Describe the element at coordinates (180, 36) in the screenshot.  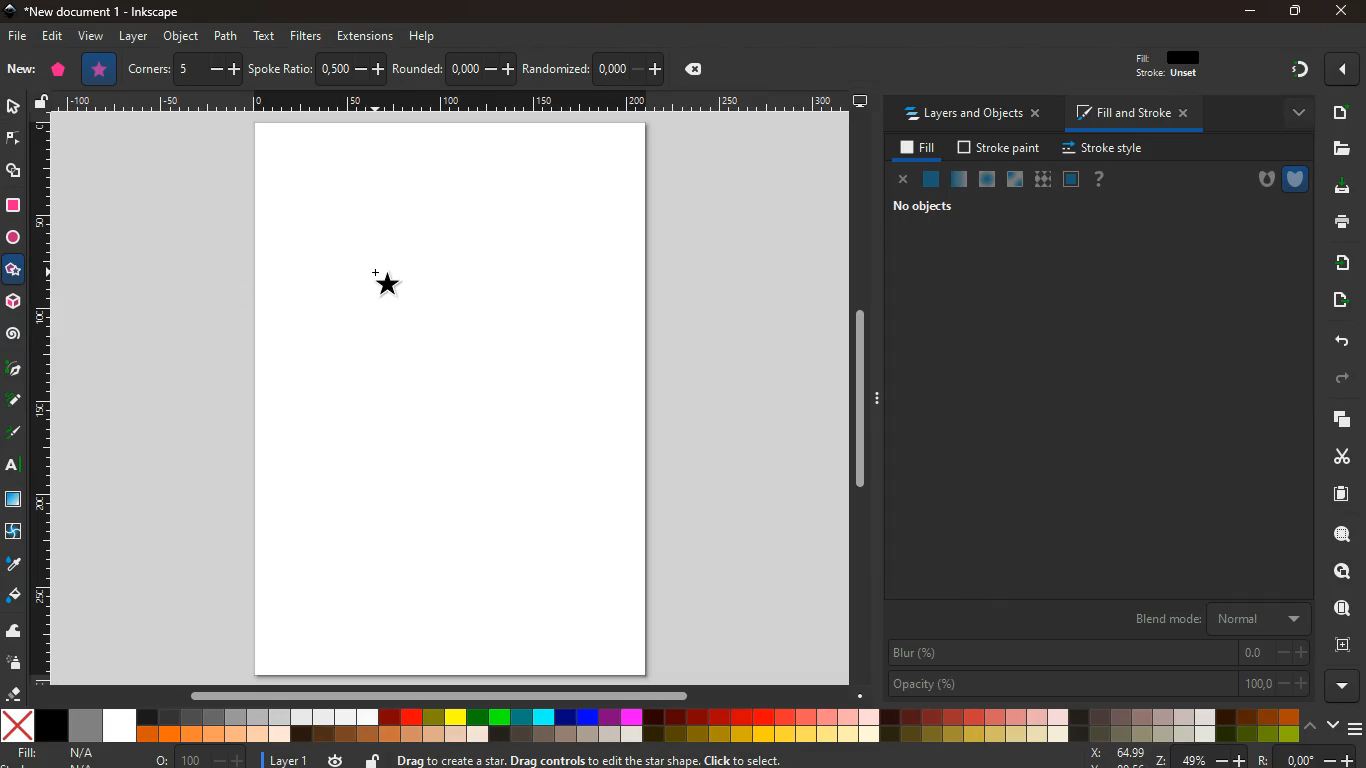
I see `object` at that location.